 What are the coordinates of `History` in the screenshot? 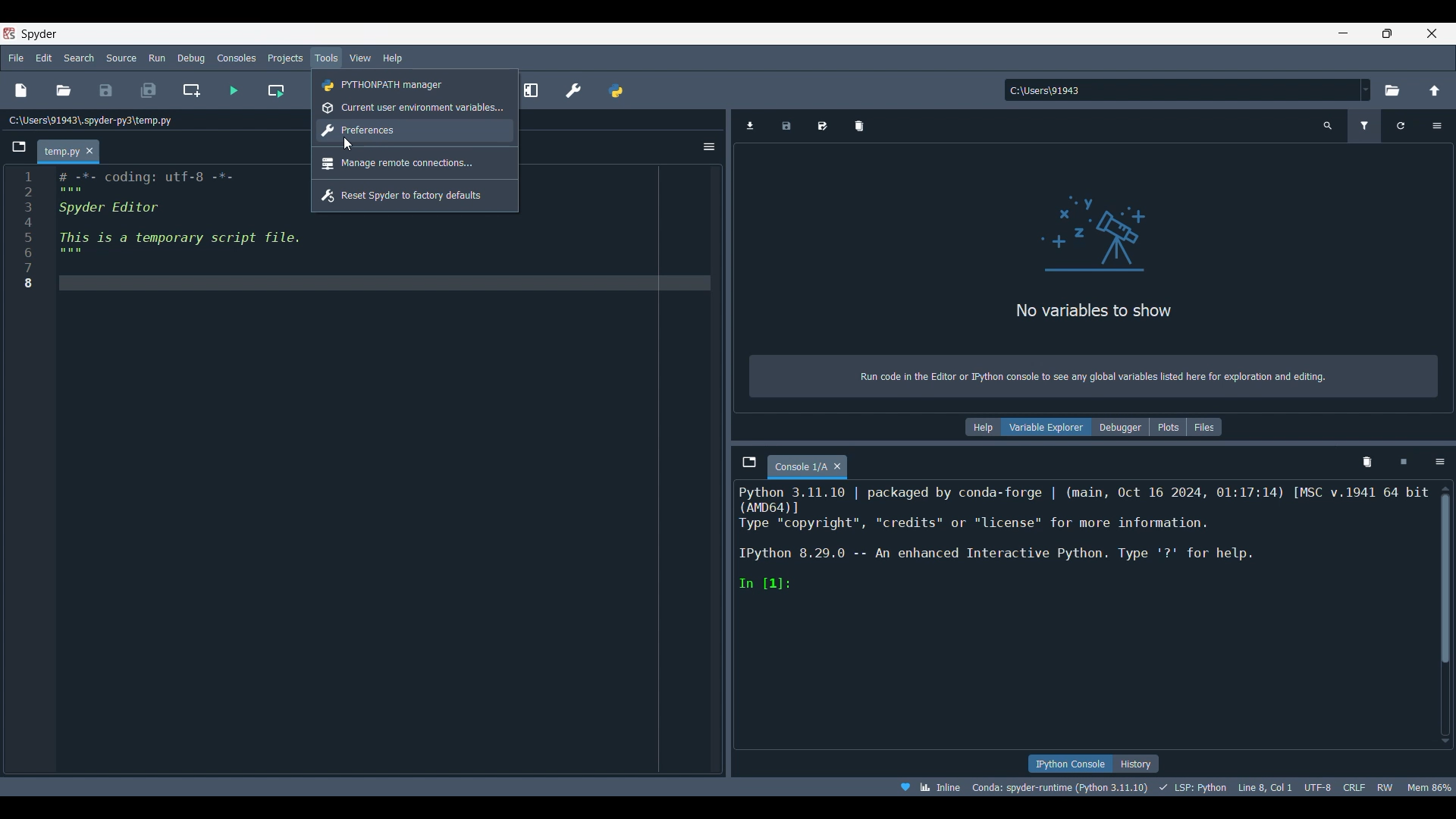 It's located at (1136, 764).